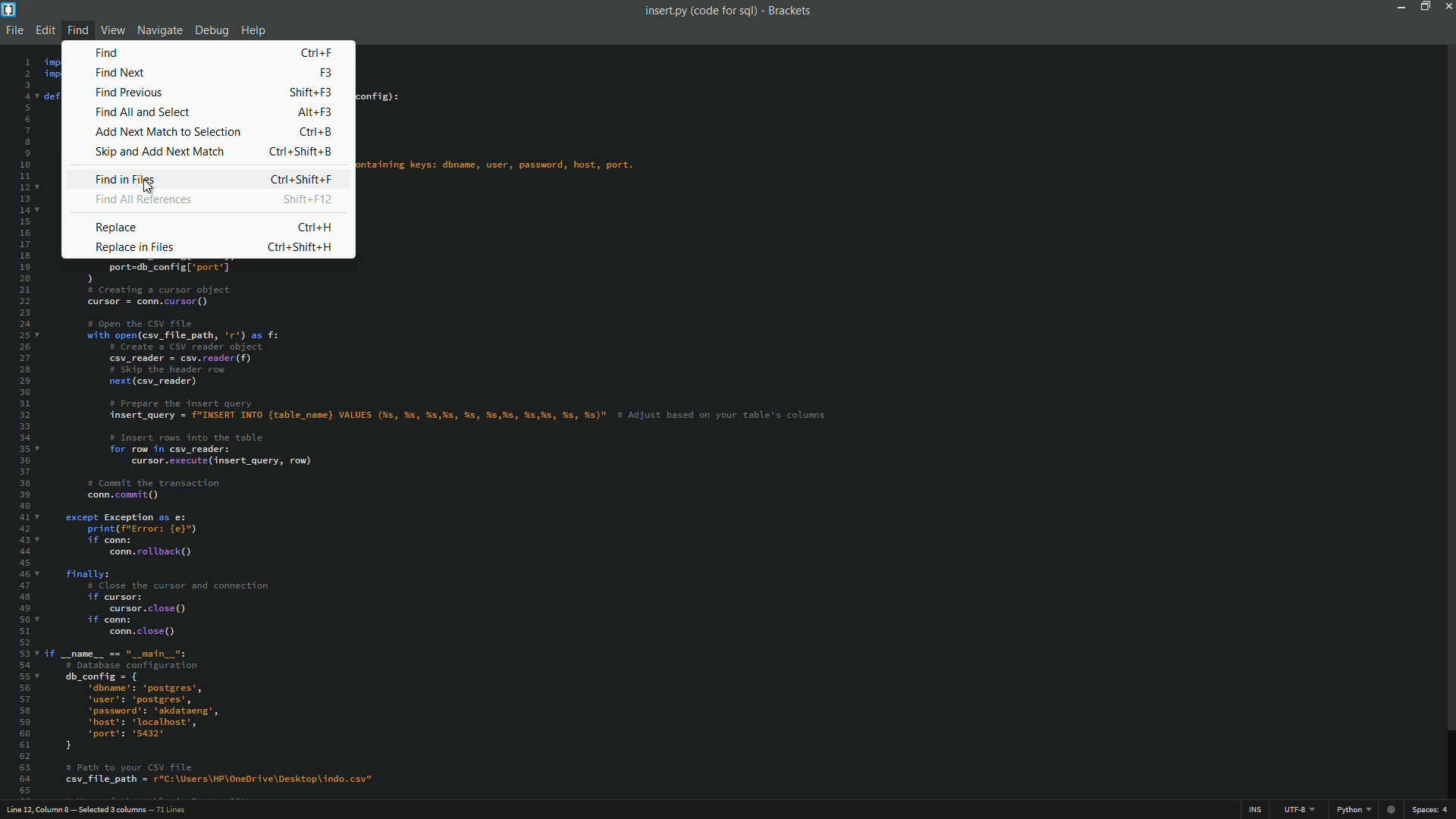  I want to click on help menu, so click(256, 31).